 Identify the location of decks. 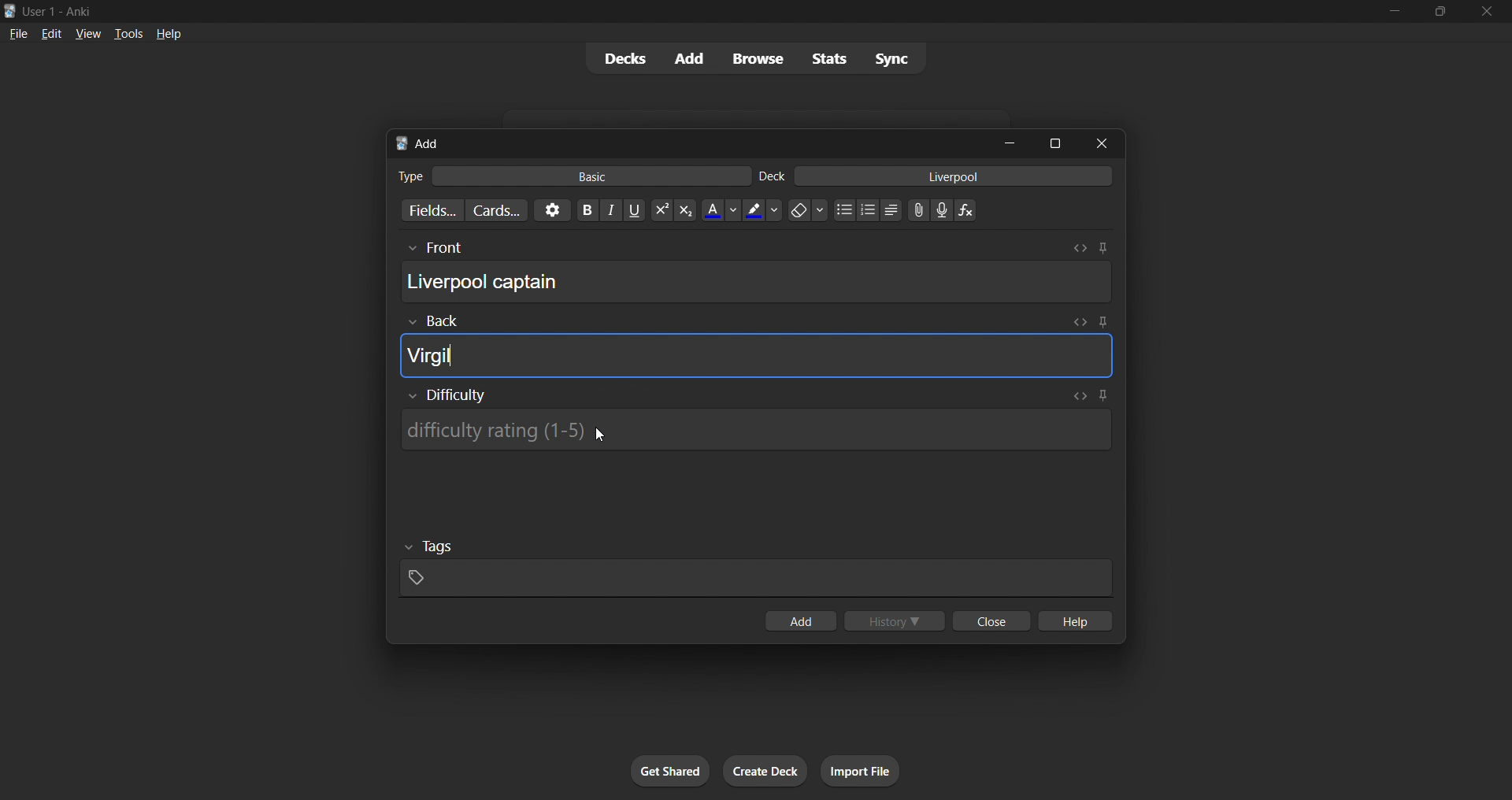
(623, 59).